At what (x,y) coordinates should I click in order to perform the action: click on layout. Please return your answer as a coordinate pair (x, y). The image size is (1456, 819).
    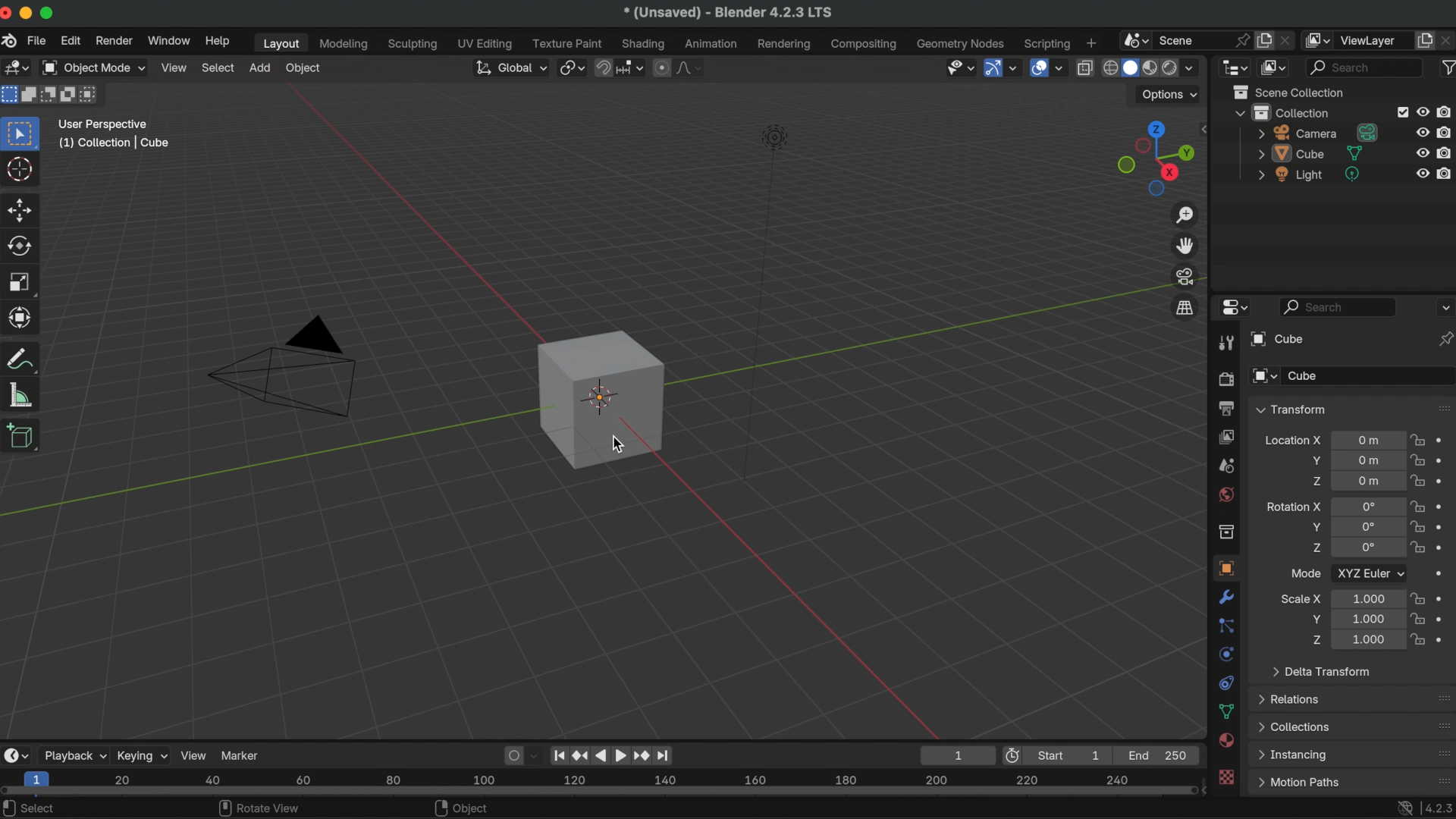
    Looking at the image, I should click on (278, 43).